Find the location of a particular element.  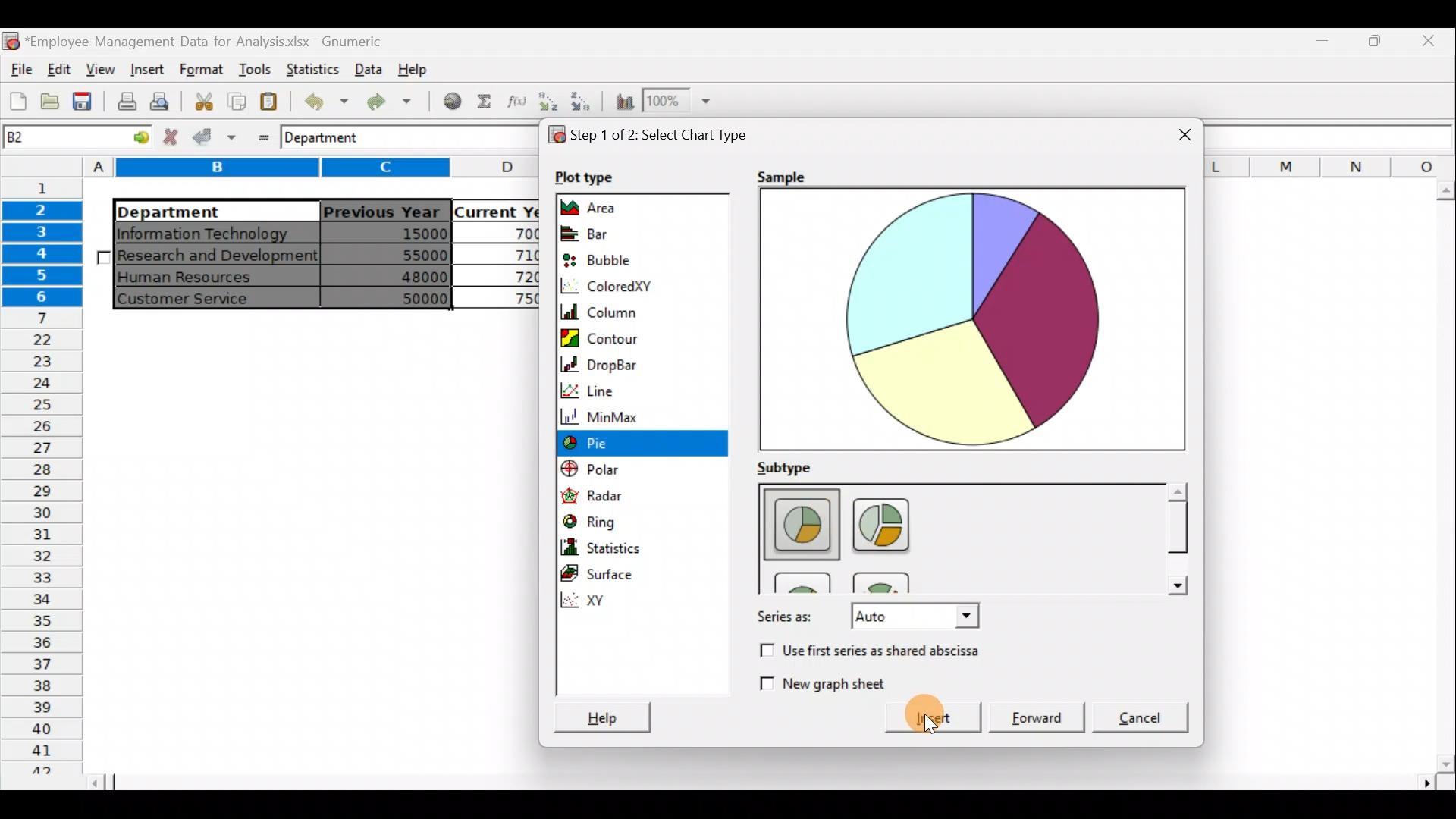

Radar is located at coordinates (618, 495).